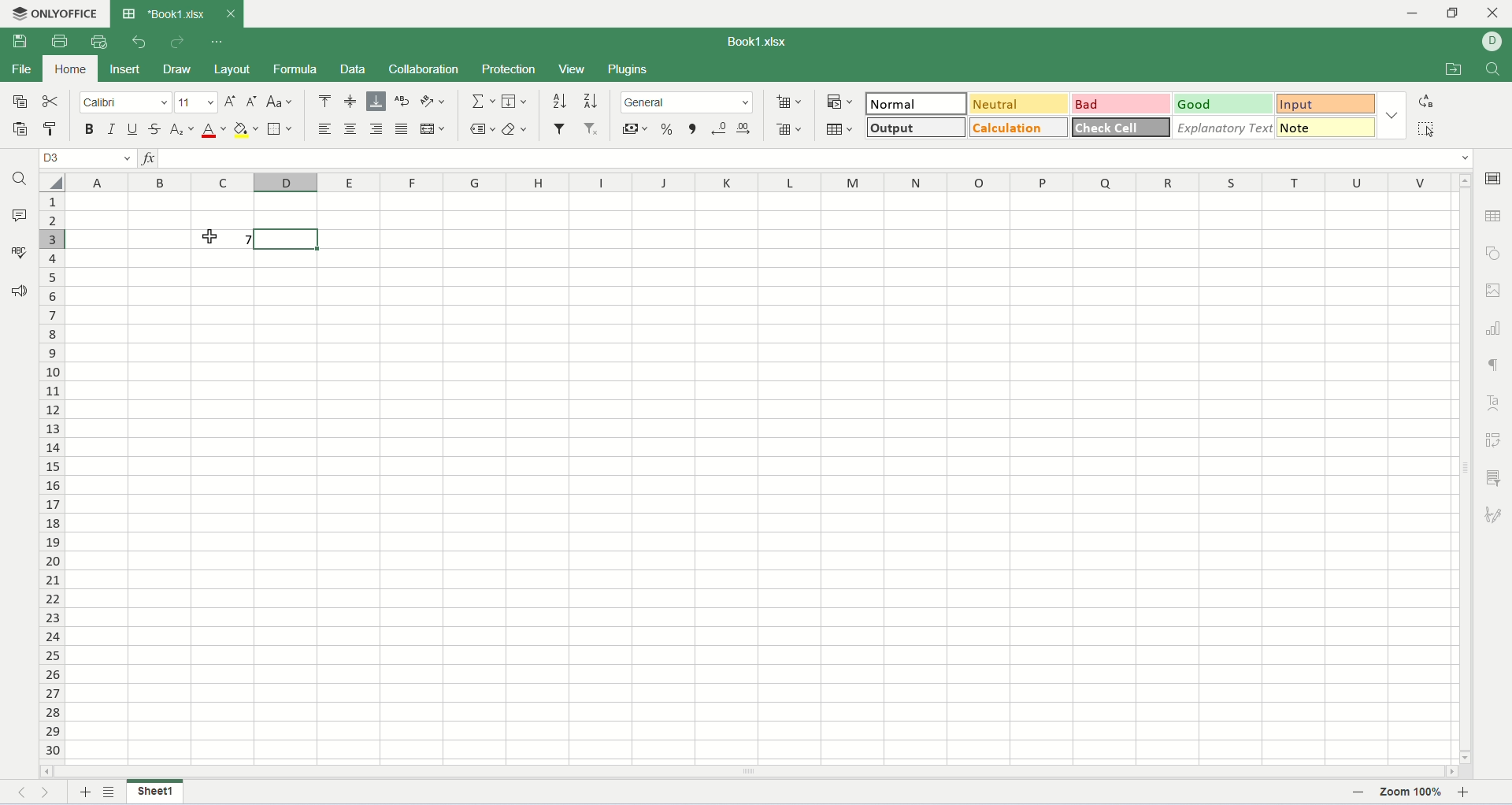 This screenshot has width=1512, height=805. Describe the element at coordinates (88, 129) in the screenshot. I see `bold` at that location.